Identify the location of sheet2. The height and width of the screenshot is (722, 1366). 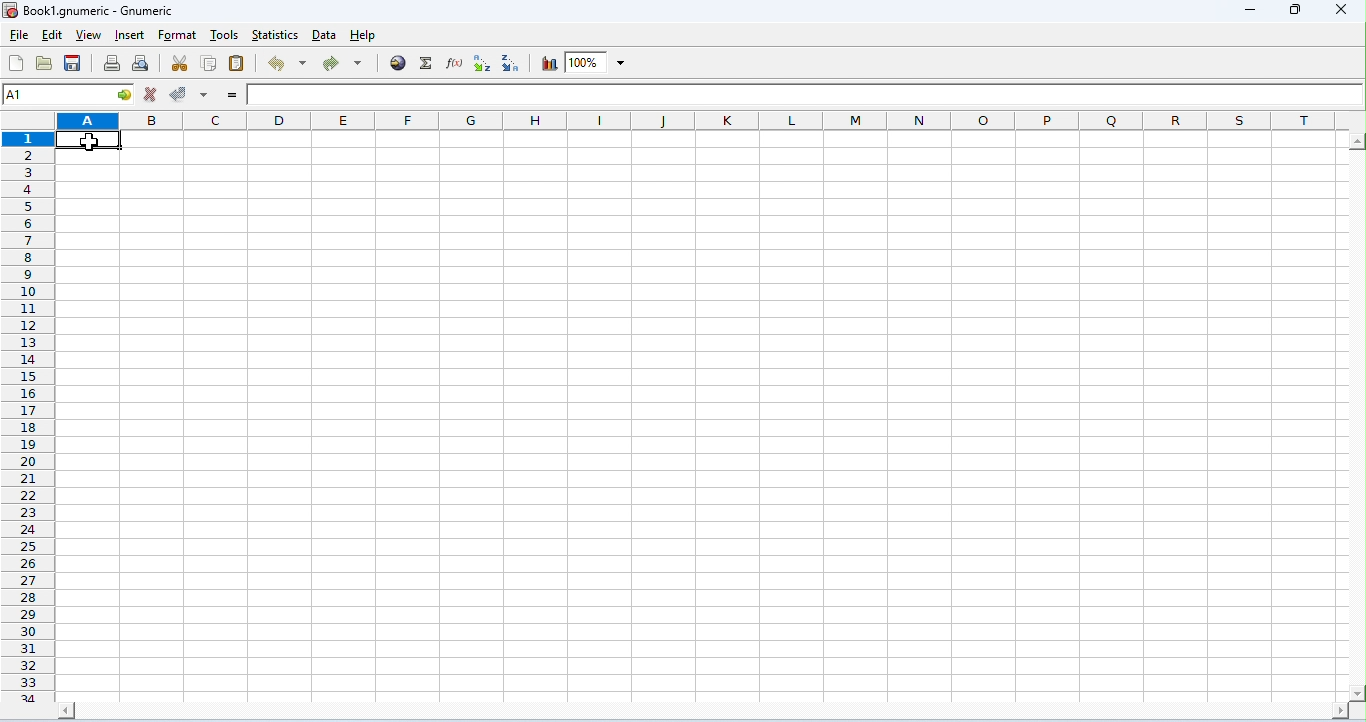
(67, 706).